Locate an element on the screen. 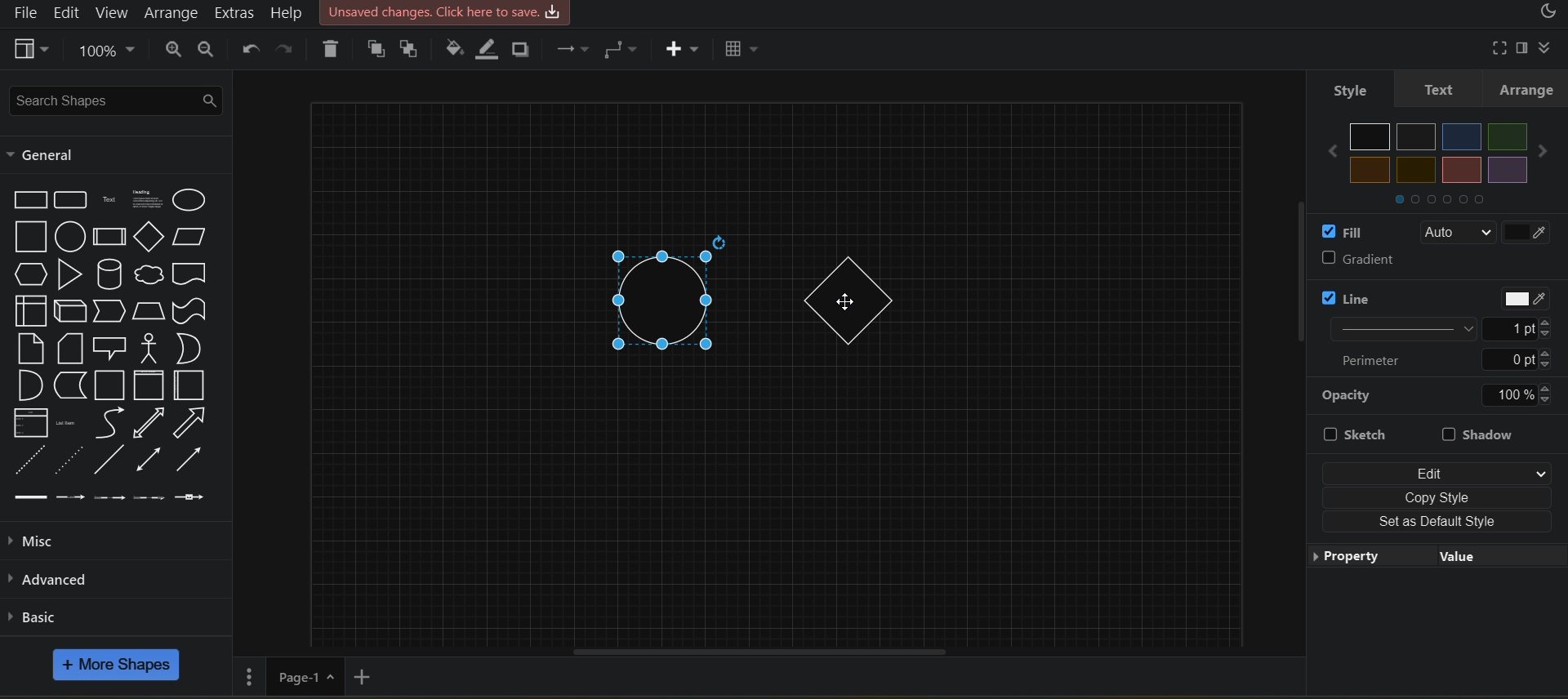  And is located at coordinates (29, 386).